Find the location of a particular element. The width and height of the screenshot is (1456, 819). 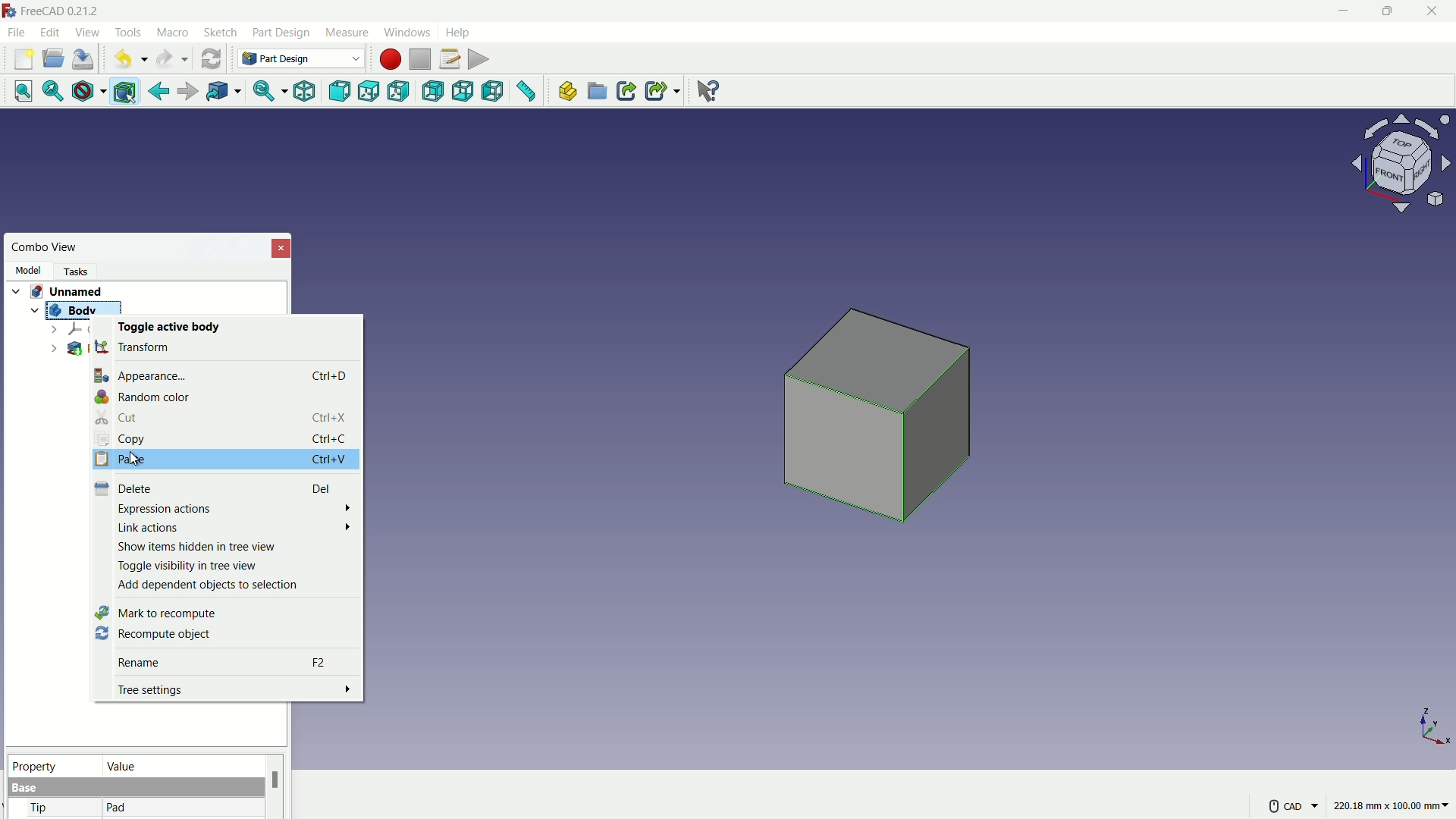

new file is located at coordinates (24, 59).